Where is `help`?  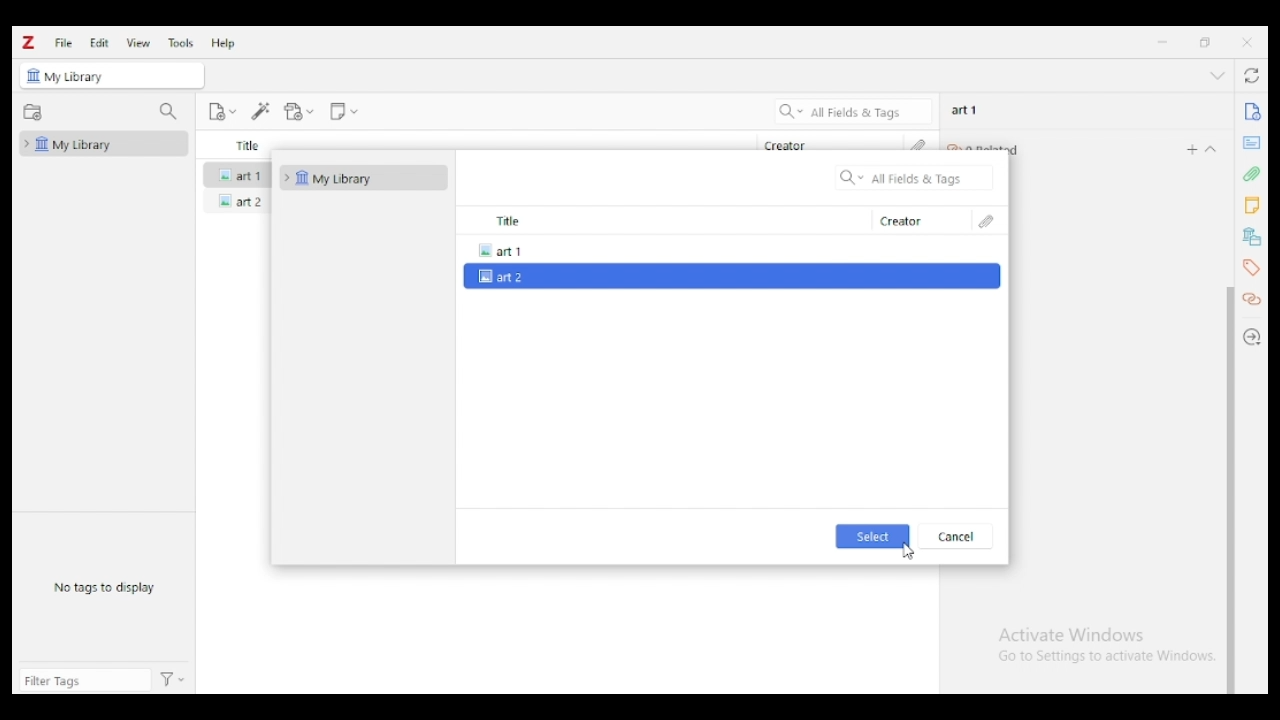
help is located at coordinates (224, 43).